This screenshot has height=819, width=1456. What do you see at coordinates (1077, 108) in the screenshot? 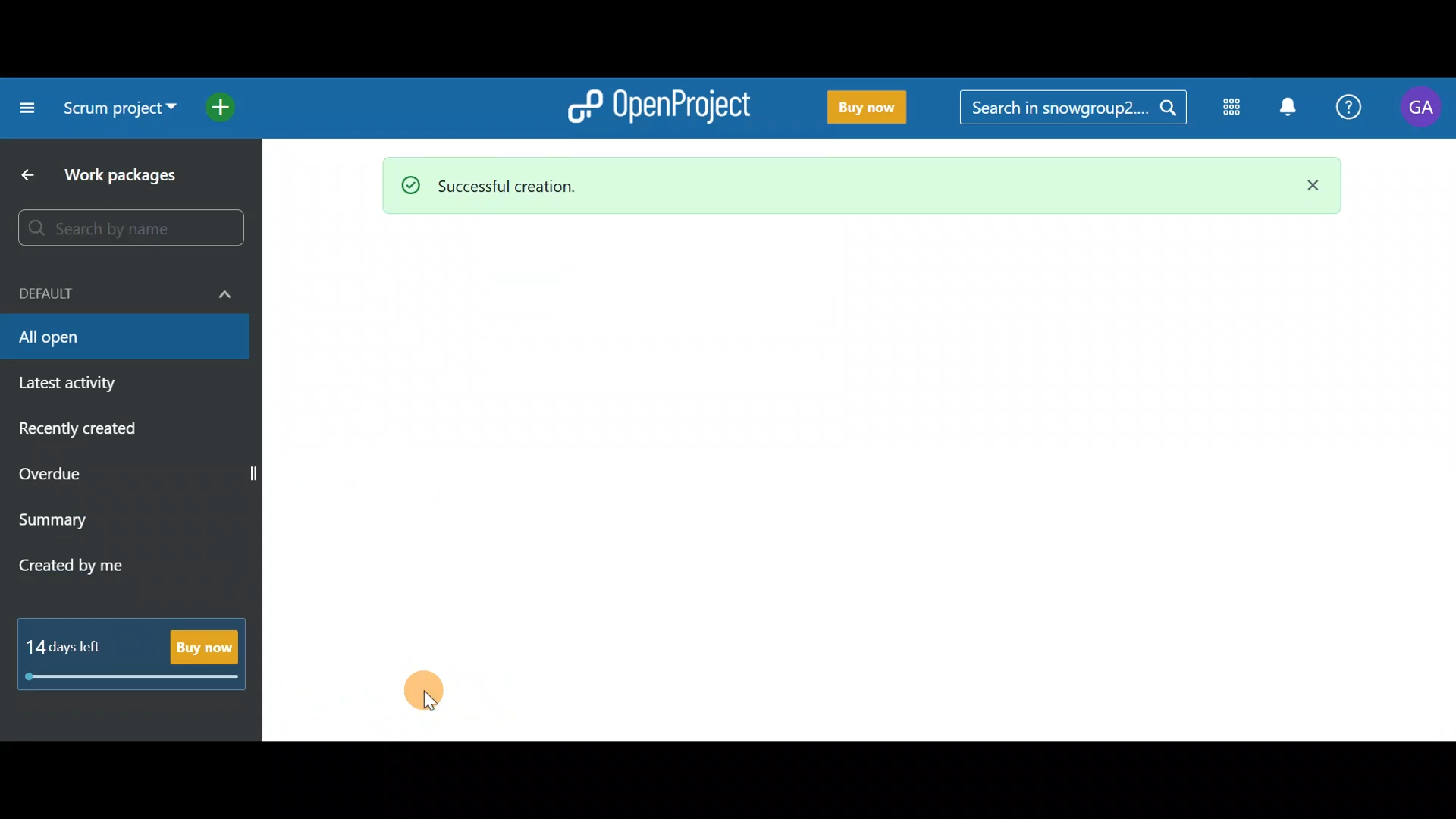
I see `Search in snowgroup?.... ` at bounding box center [1077, 108].